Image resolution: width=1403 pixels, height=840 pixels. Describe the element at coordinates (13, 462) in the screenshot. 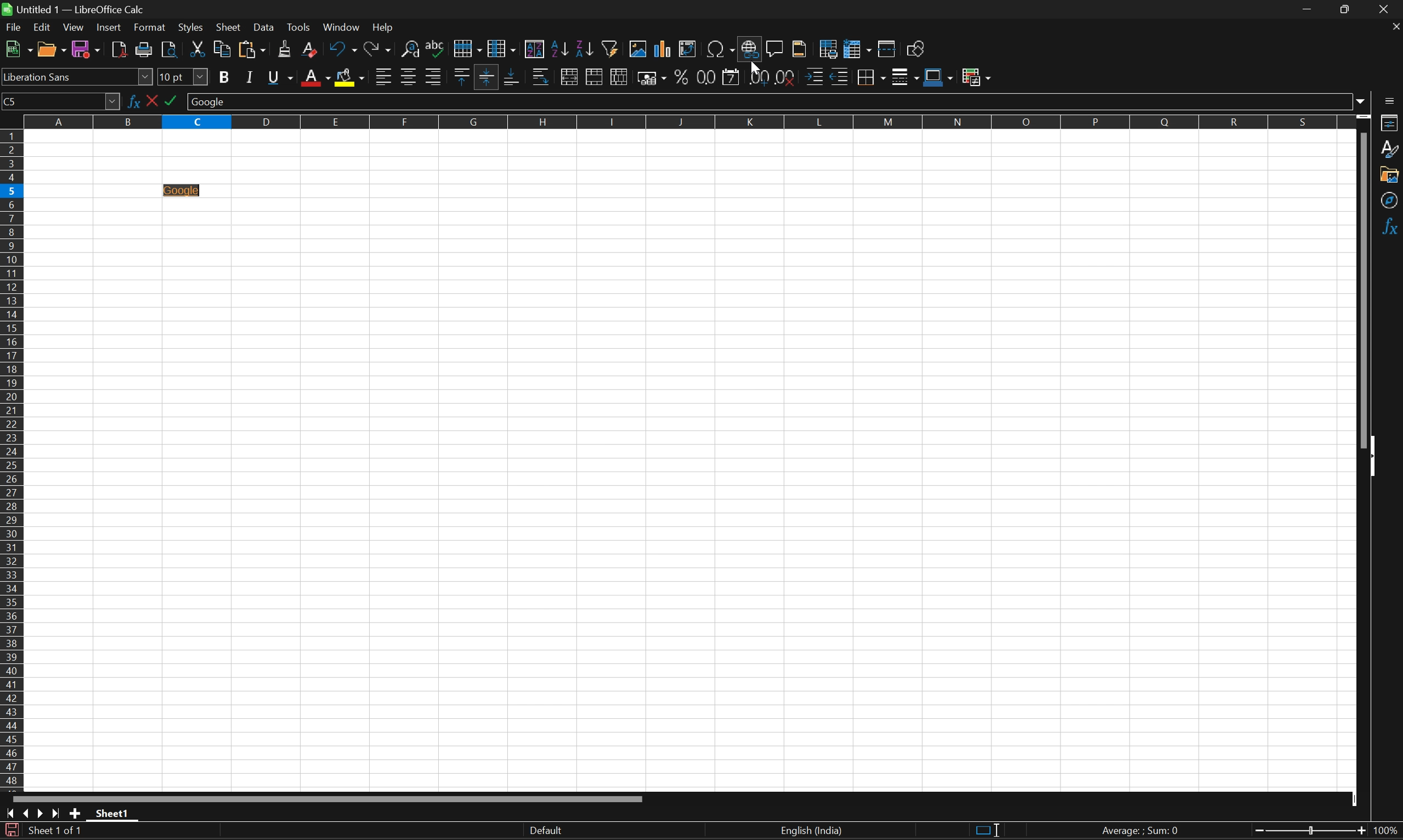

I see `Row numbers` at that location.